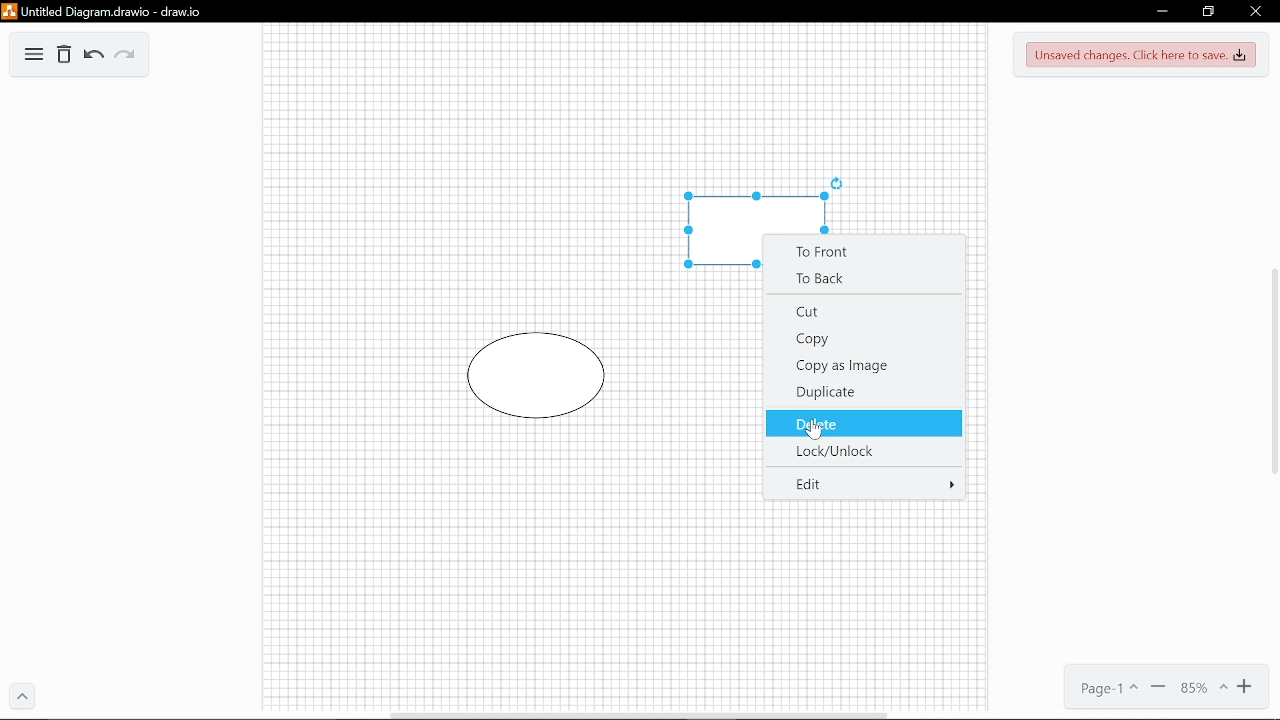  Describe the element at coordinates (839, 182) in the screenshot. I see `Rotate` at that location.